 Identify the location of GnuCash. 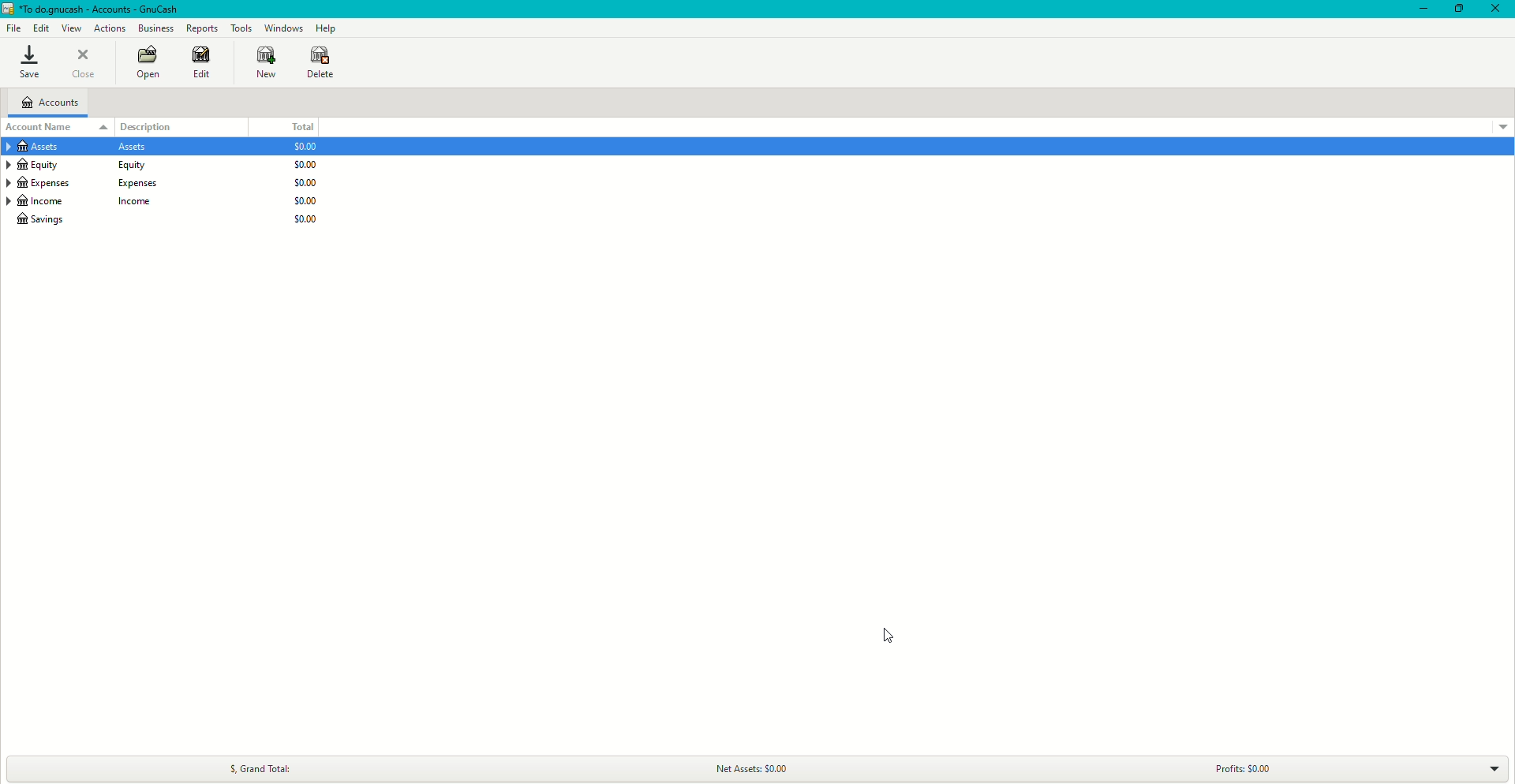
(93, 10).